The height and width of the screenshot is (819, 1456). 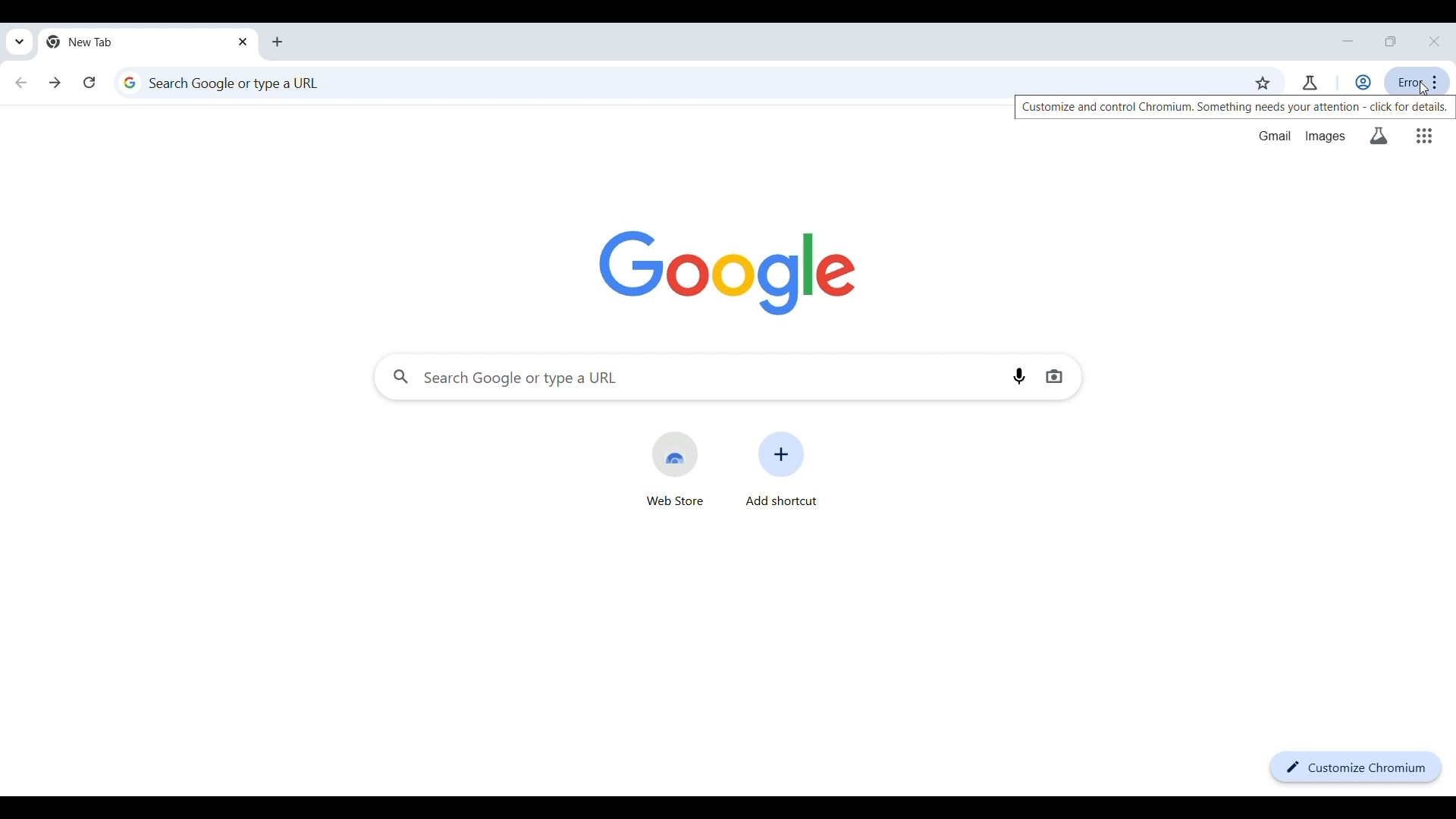 What do you see at coordinates (278, 42) in the screenshot?
I see `Add new tab` at bounding box center [278, 42].